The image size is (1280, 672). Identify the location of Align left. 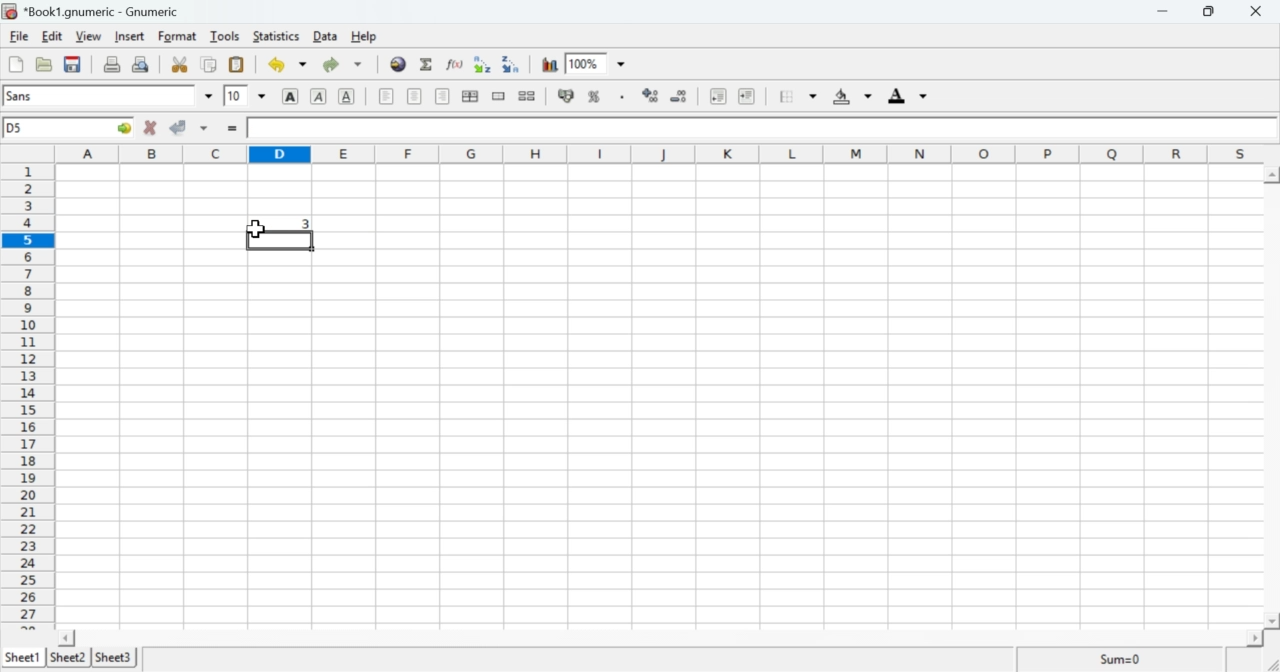
(386, 96).